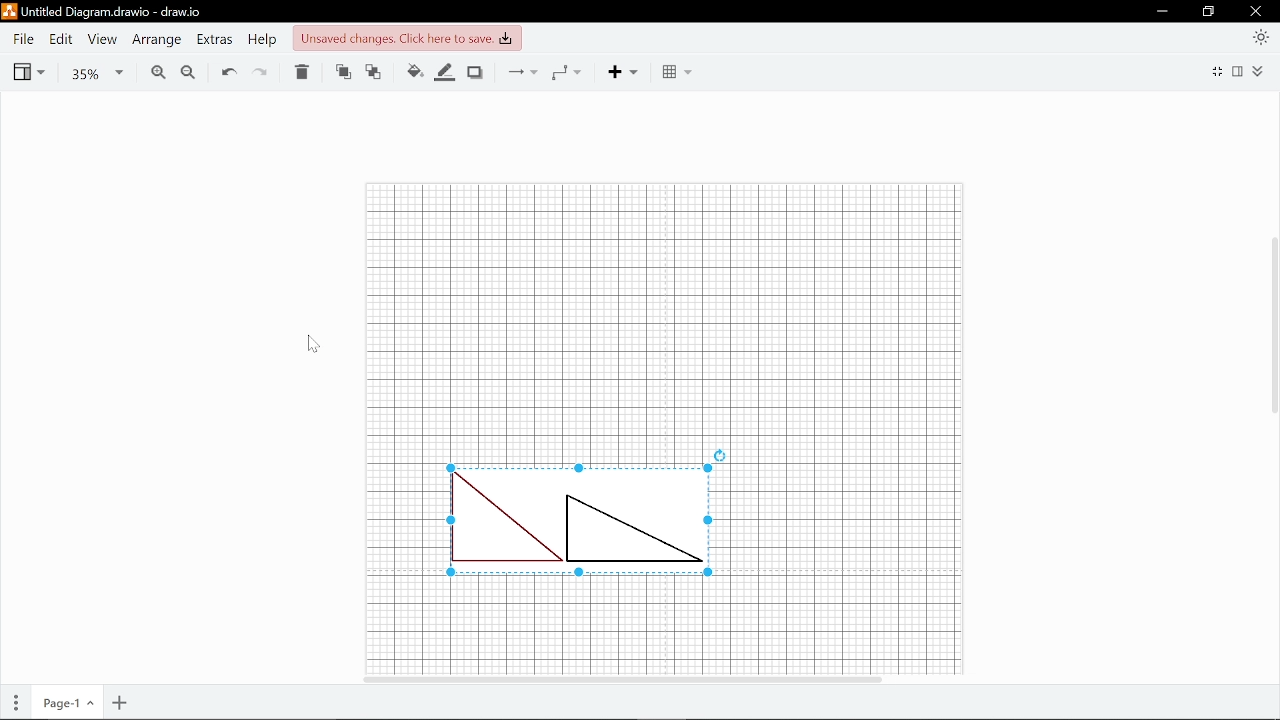  I want to click on pages, so click(11, 704).